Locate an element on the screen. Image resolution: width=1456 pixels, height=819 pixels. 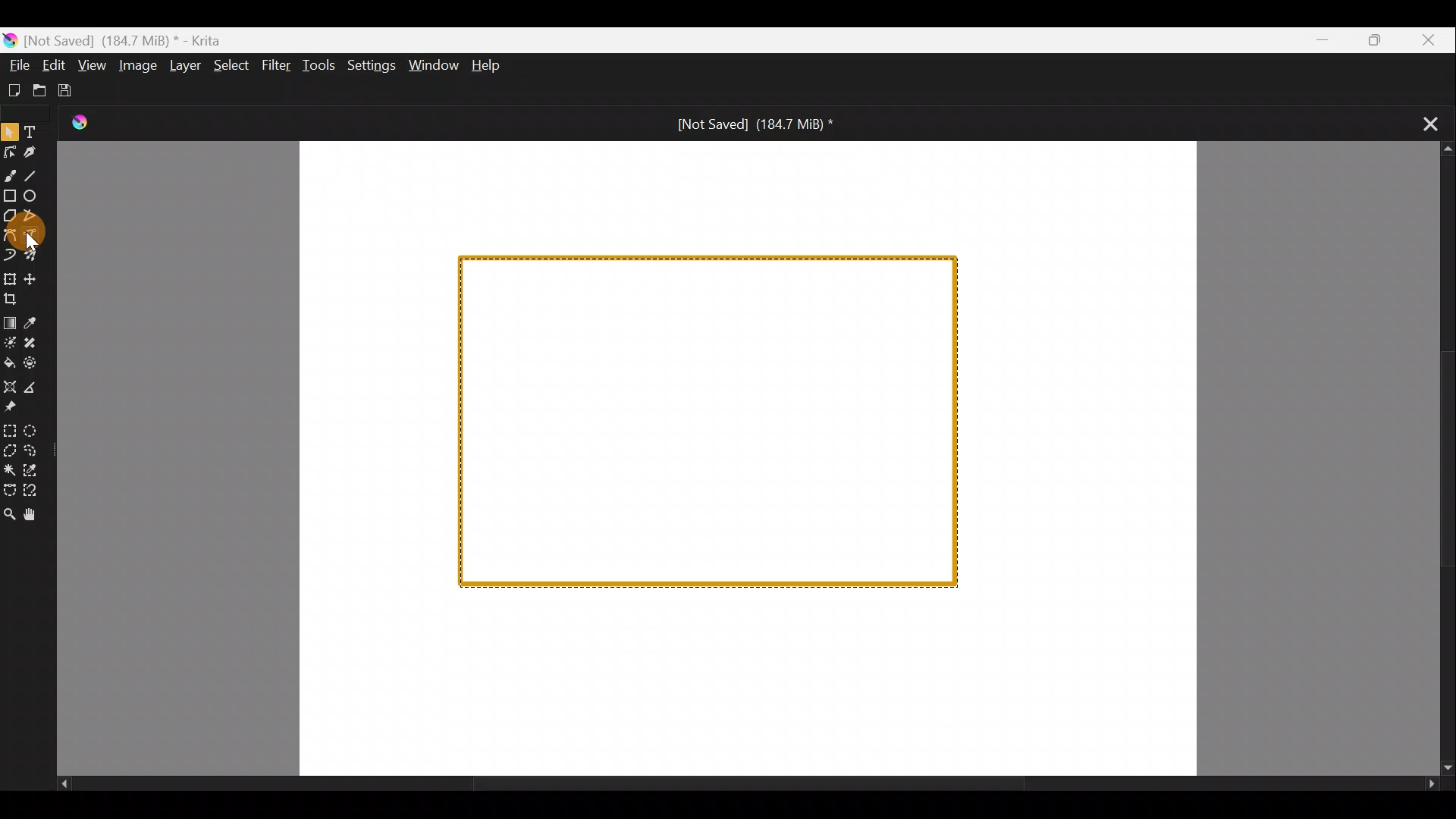
Polyline tool is located at coordinates (36, 217).